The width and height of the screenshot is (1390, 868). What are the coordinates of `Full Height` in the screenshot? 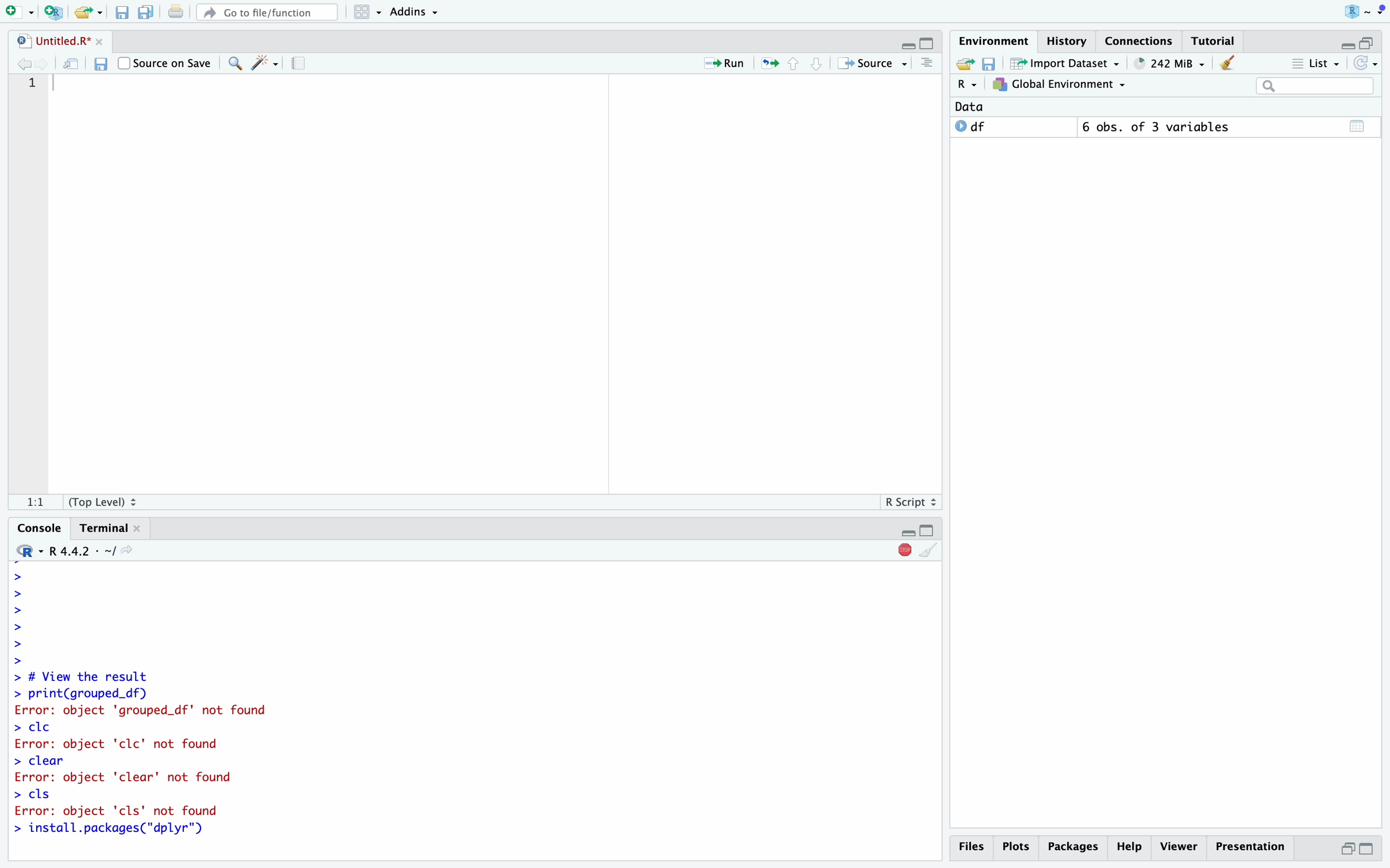 It's located at (929, 530).